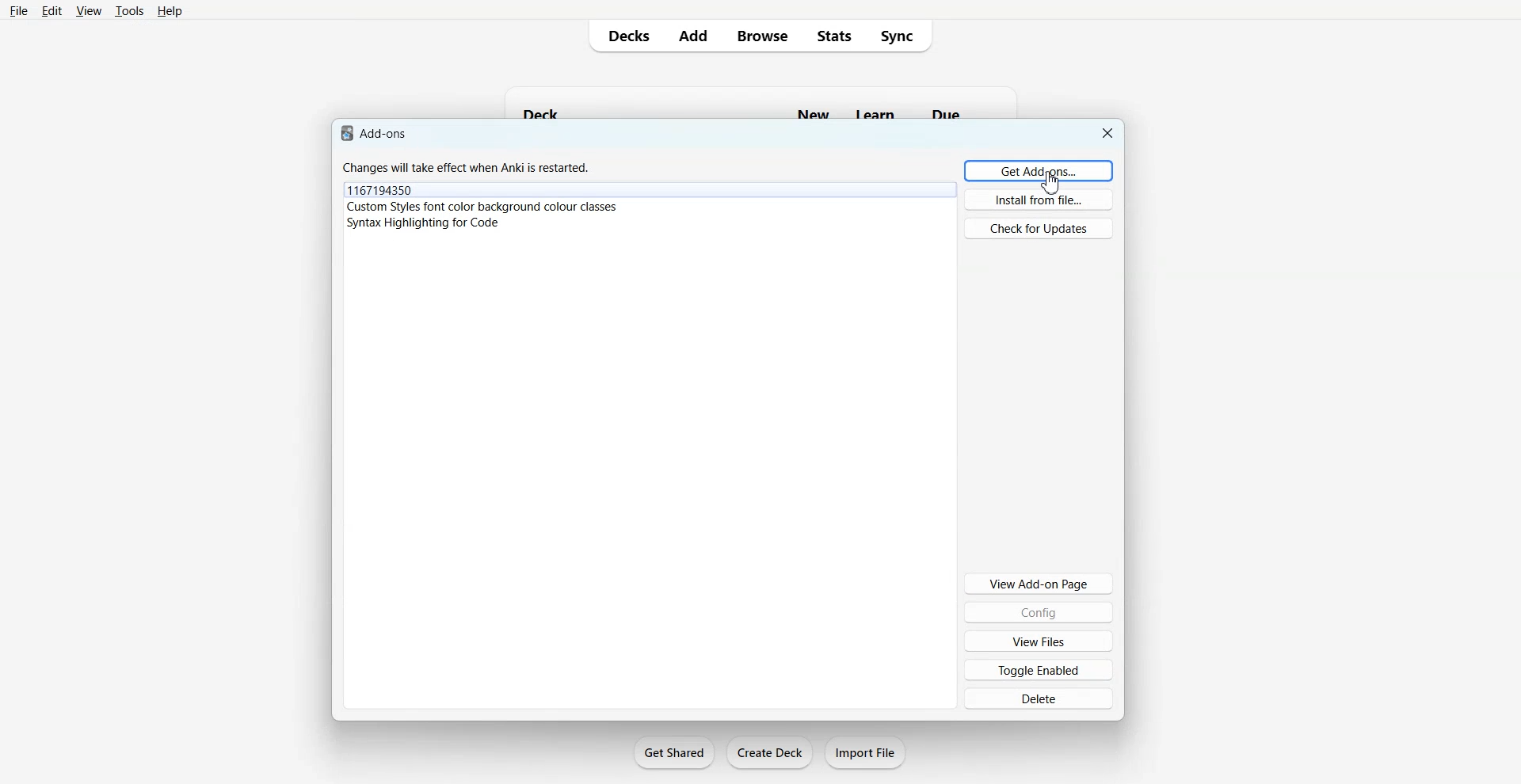 The image size is (1521, 784). Describe the element at coordinates (834, 36) in the screenshot. I see `Stats` at that location.